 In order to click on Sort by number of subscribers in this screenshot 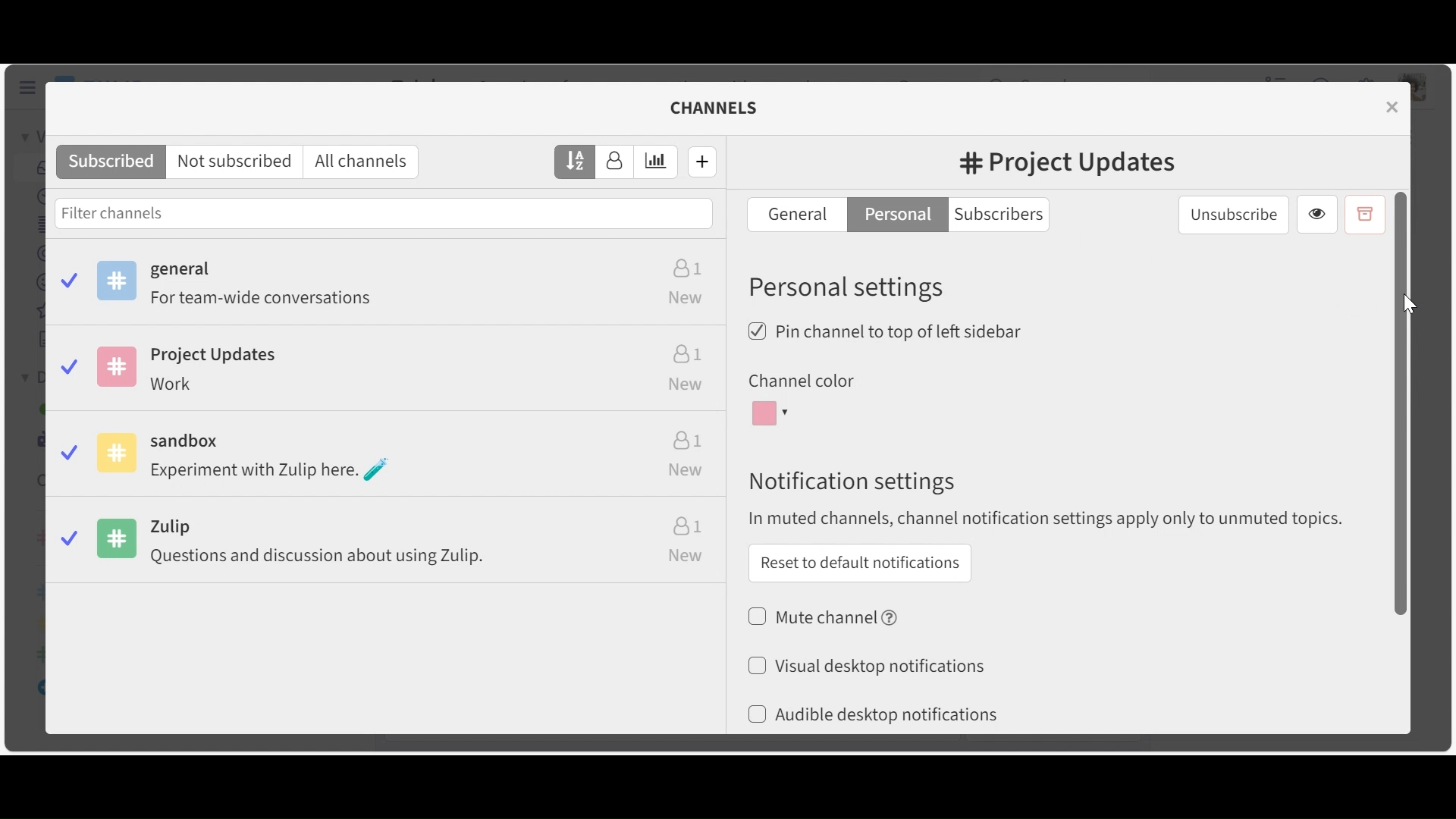, I will do `click(615, 162)`.